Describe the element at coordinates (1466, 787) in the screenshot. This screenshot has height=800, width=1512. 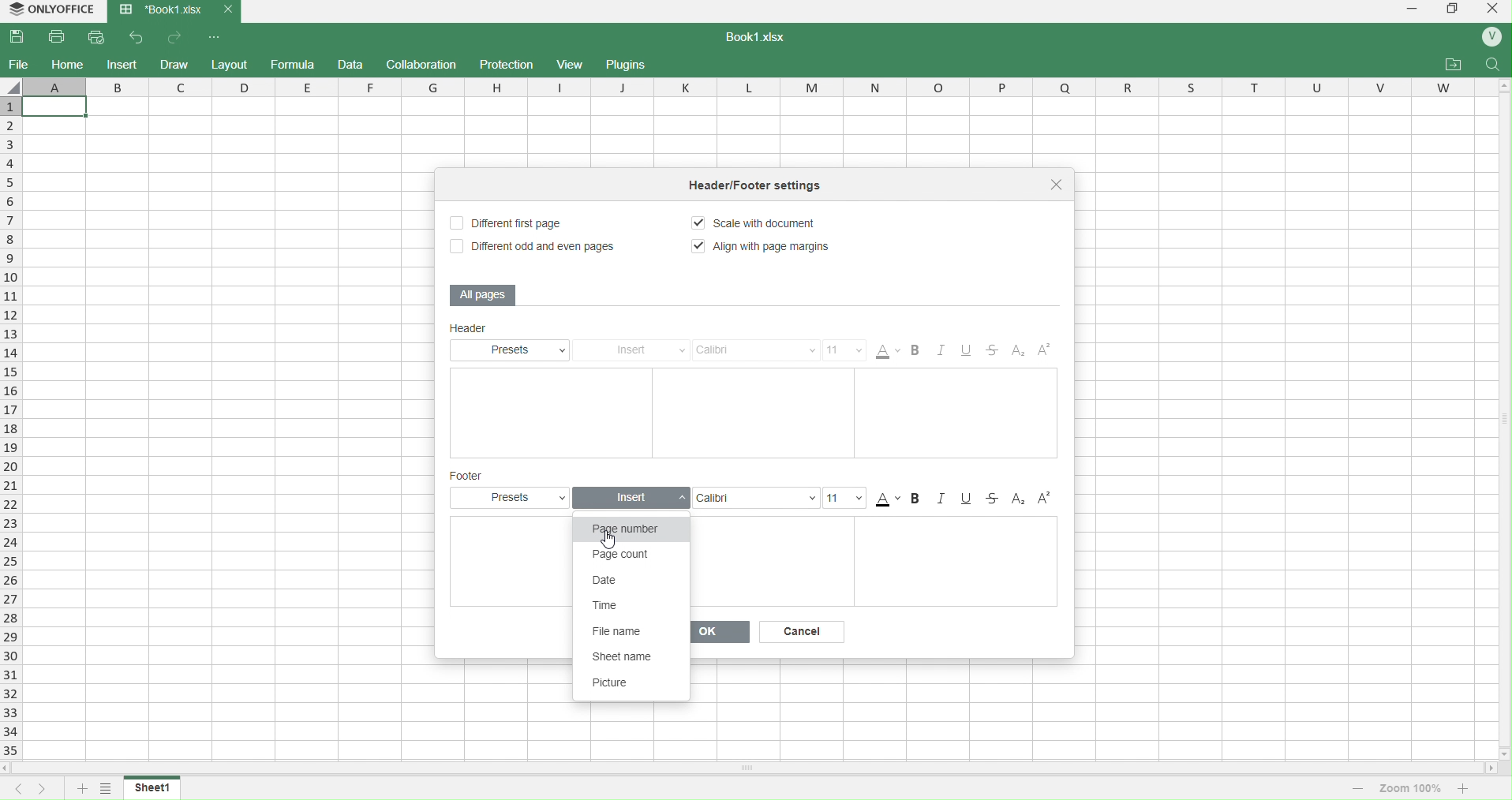
I see `increase zoom ` at that location.